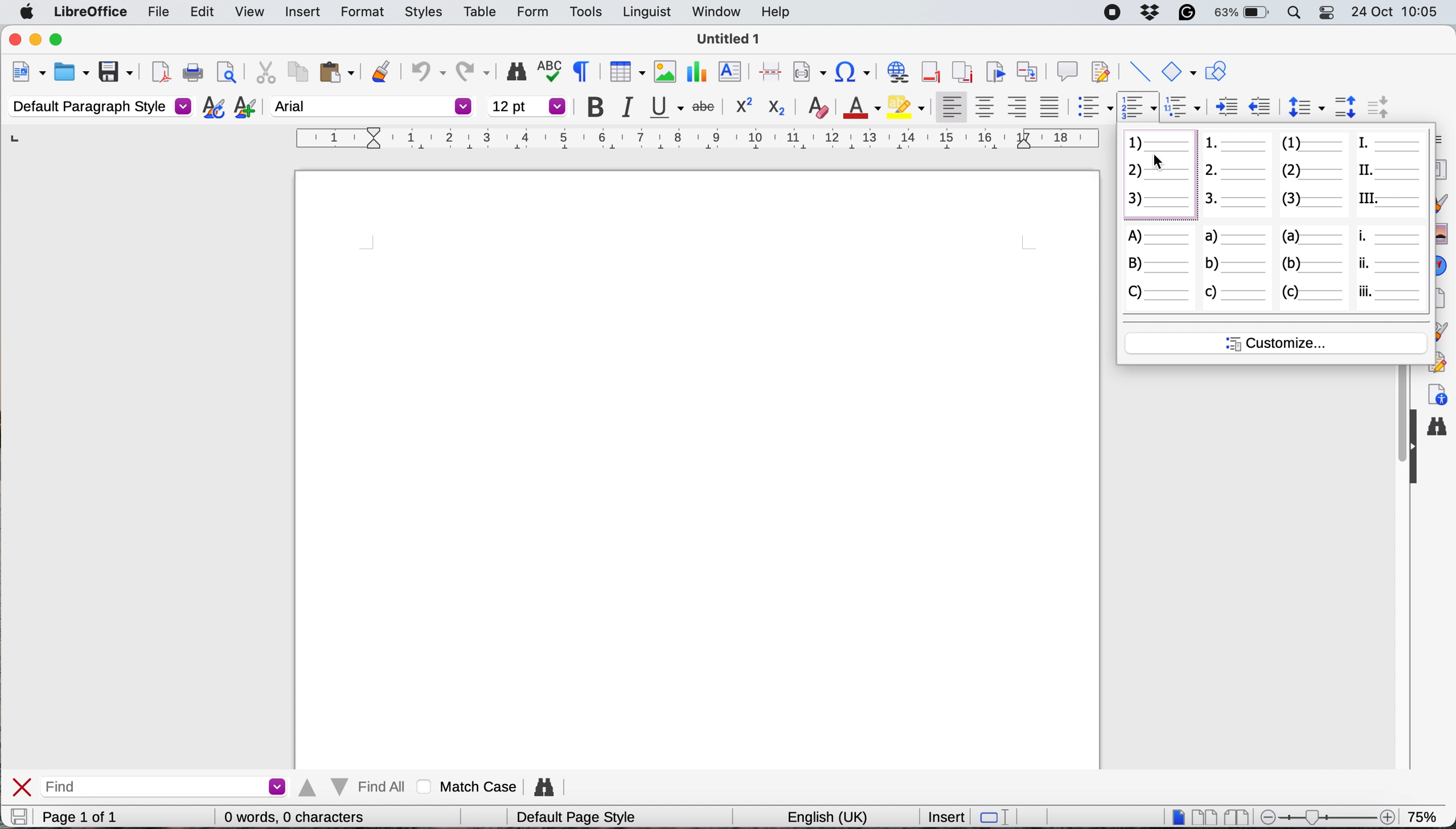 The image size is (1456, 829). What do you see at coordinates (832, 817) in the screenshot?
I see `english(uk)` at bounding box center [832, 817].